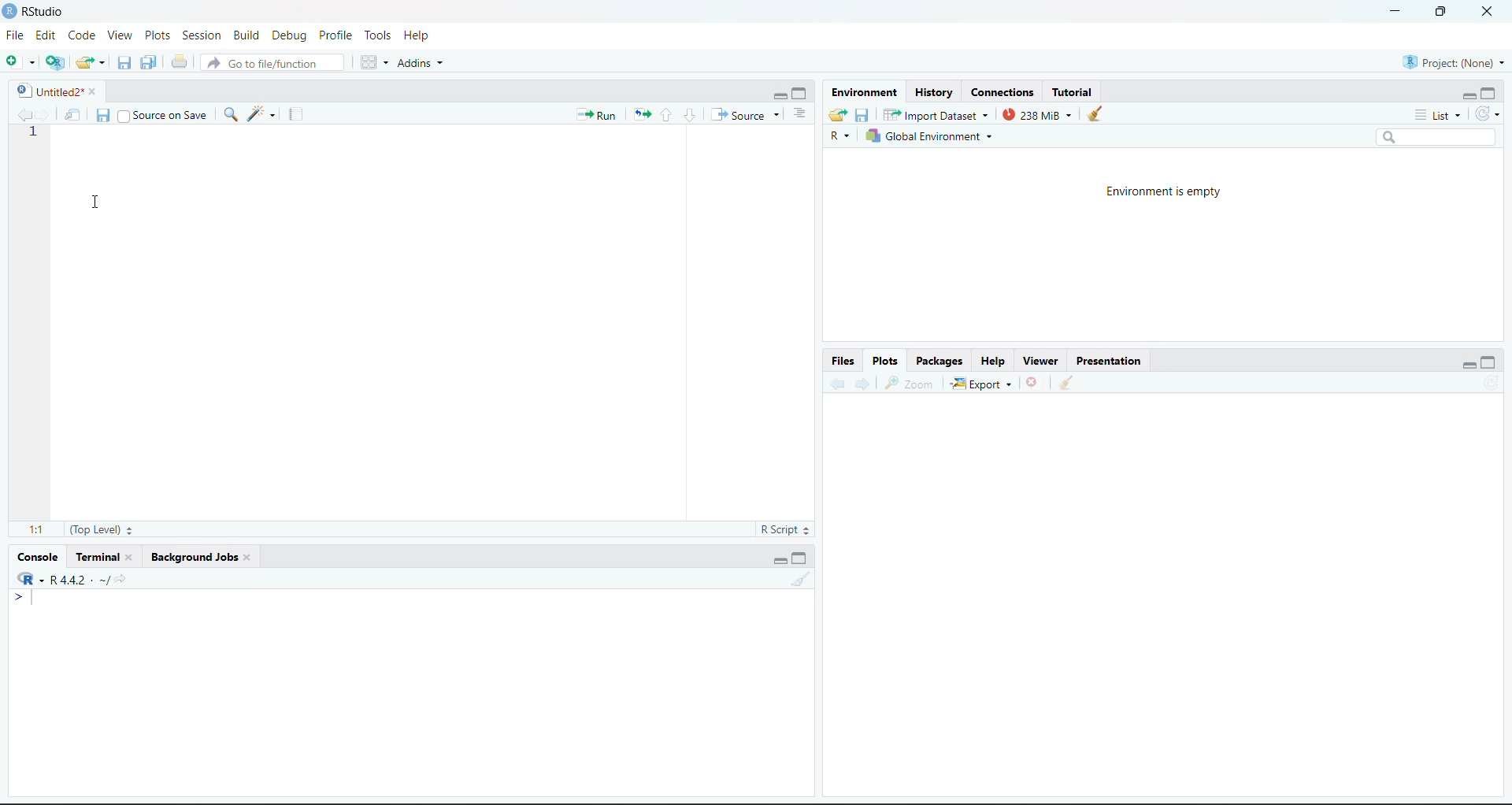 The image size is (1512, 805). What do you see at coordinates (1003, 93) in the screenshot?
I see `Connections` at bounding box center [1003, 93].